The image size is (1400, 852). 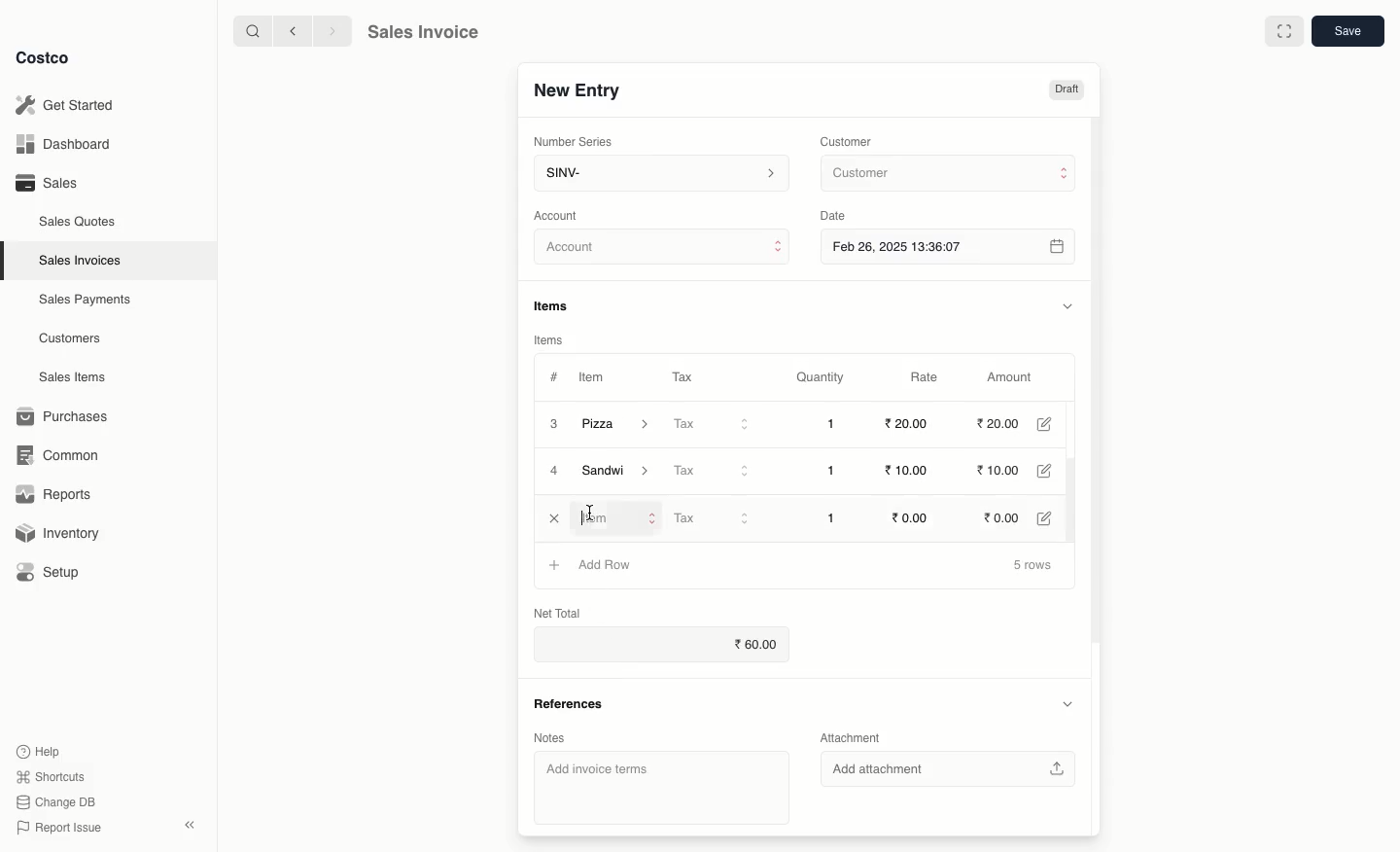 What do you see at coordinates (617, 517) in the screenshot?
I see `Item` at bounding box center [617, 517].